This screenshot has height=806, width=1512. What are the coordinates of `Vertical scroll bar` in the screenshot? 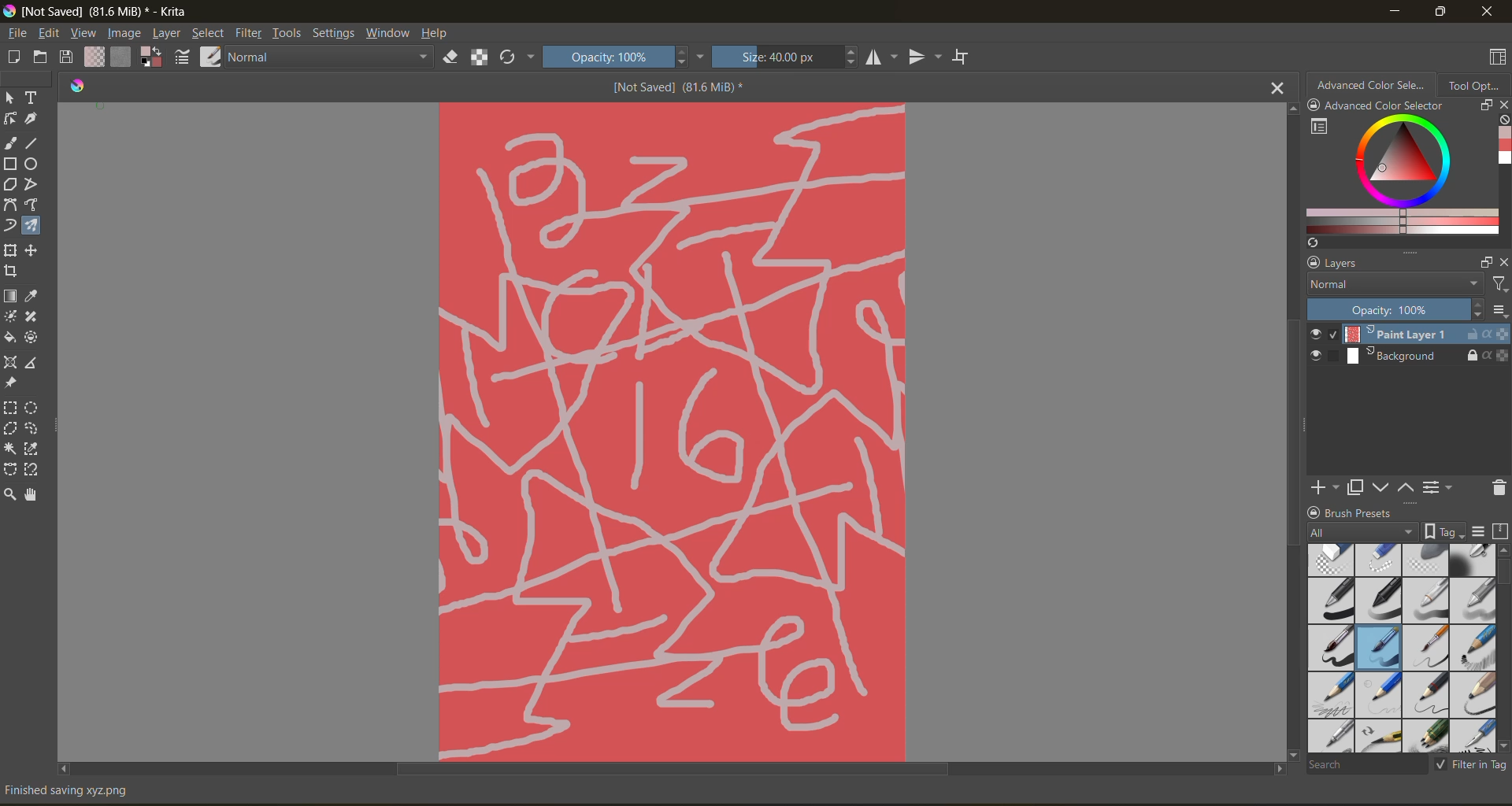 It's located at (1290, 430).